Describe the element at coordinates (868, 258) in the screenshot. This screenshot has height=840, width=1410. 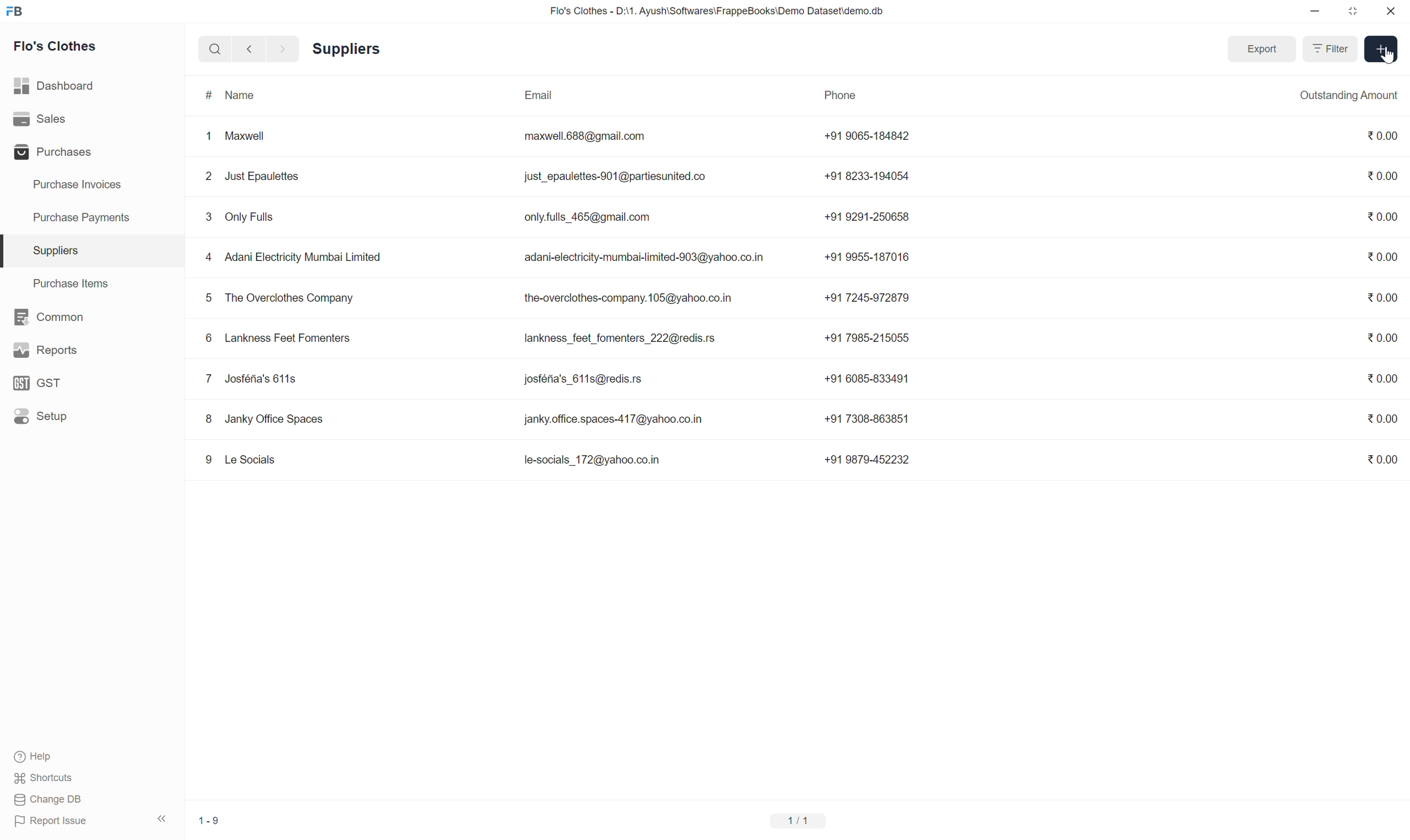
I see `+91 9955-187016` at that location.